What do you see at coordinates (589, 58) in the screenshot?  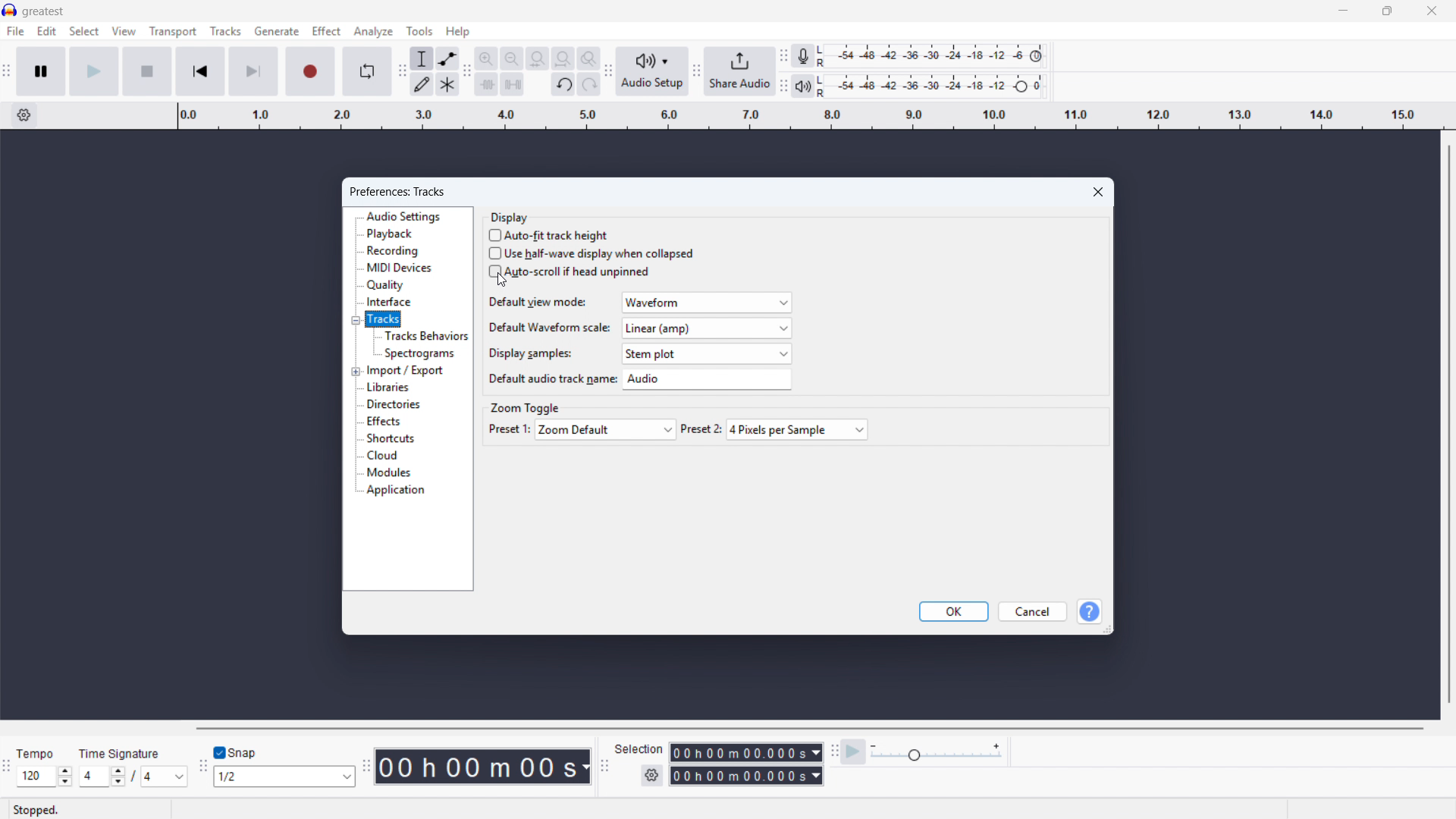 I see `Toggle zoom ` at bounding box center [589, 58].